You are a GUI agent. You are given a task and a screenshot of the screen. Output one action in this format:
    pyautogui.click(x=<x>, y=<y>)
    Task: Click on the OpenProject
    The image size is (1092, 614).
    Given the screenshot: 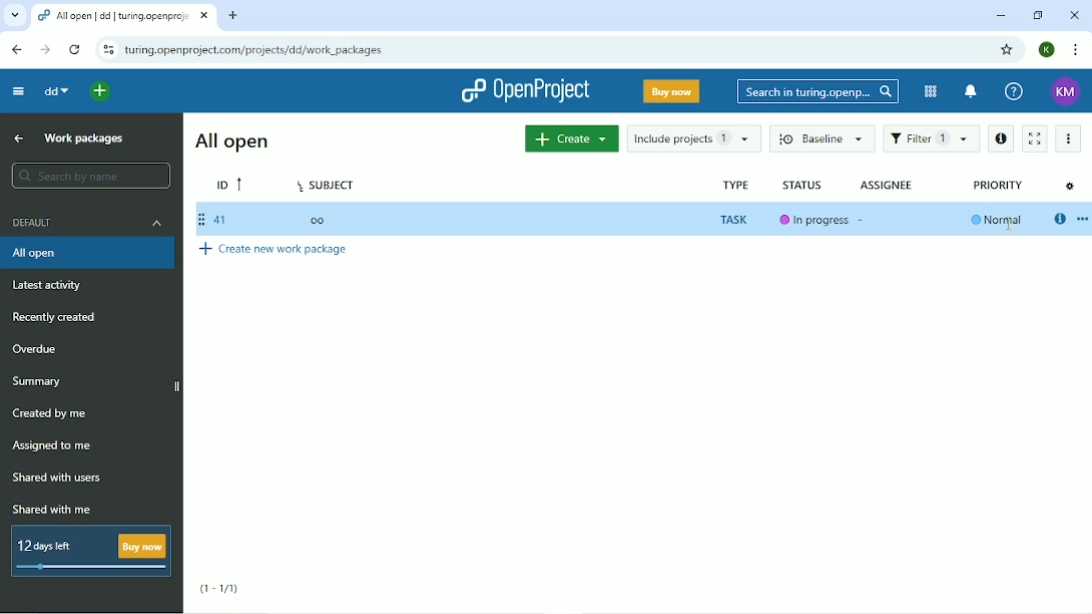 What is the action you would take?
    pyautogui.click(x=525, y=90)
    